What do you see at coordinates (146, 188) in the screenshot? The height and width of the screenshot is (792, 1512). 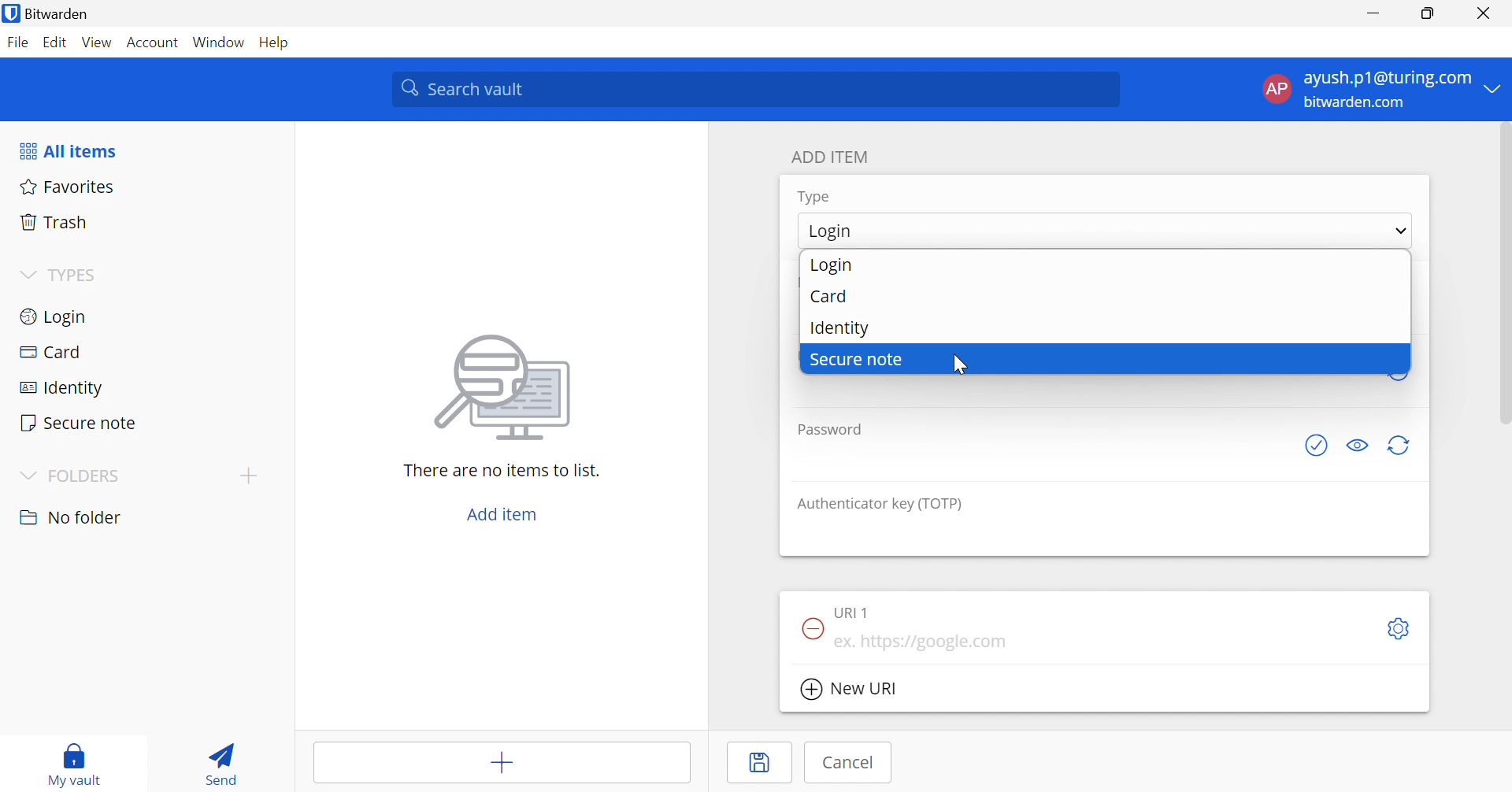 I see `Favorites` at bounding box center [146, 188].